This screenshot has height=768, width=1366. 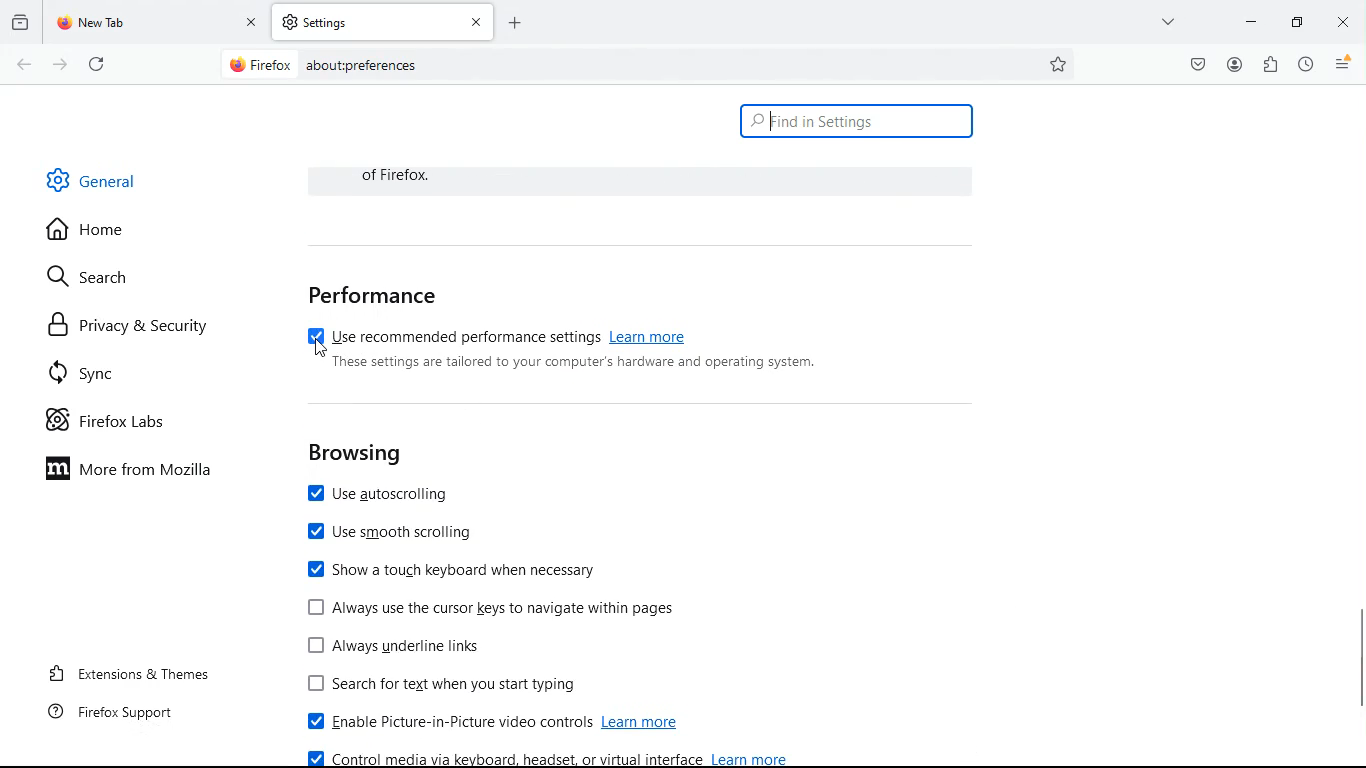 What do you see at coordinates (388, 496) in the screenshot?
I see `use autoscrolling` at bounding box center [388, 496].